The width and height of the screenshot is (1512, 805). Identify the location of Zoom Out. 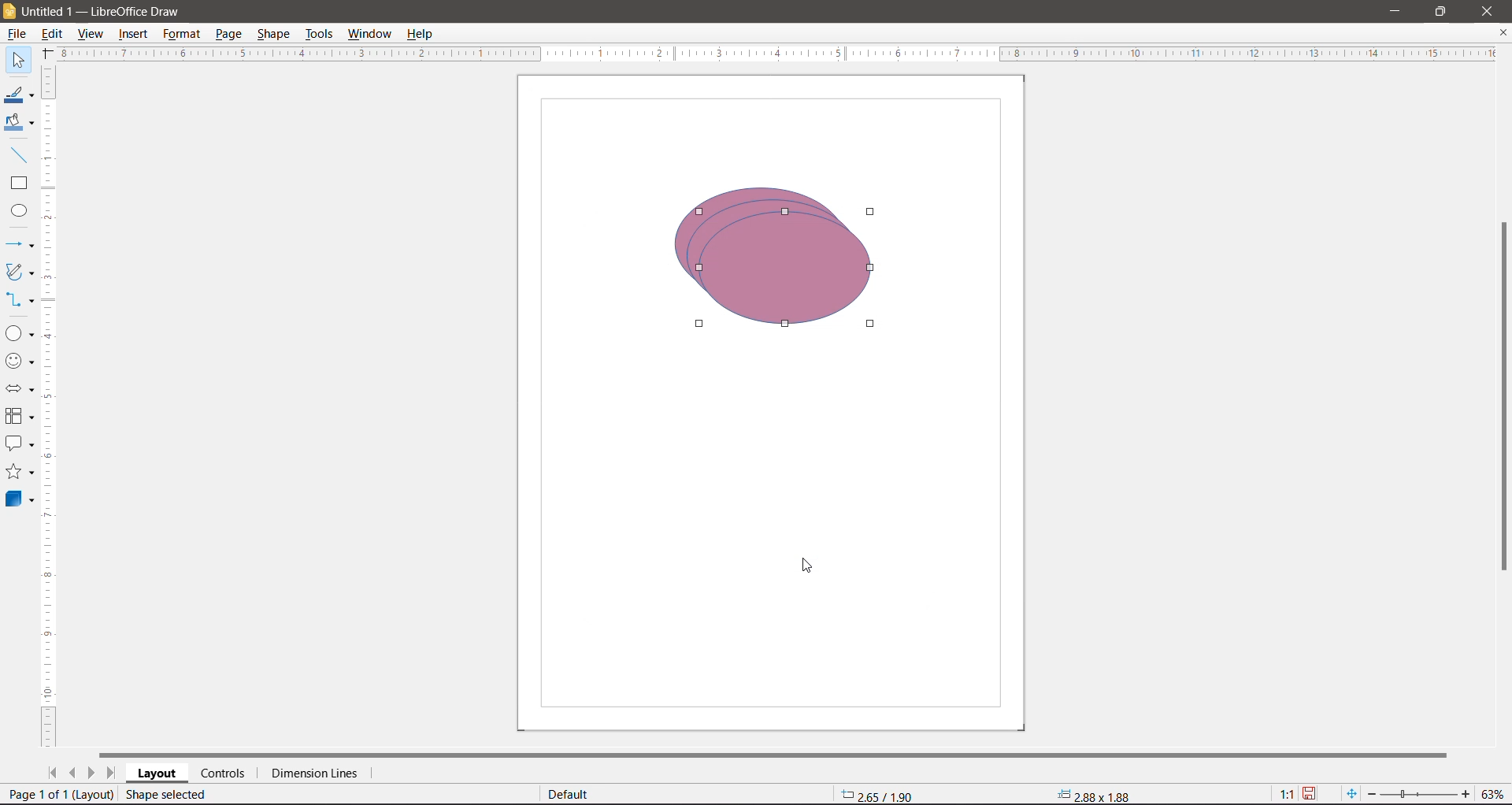
(1371, 795).